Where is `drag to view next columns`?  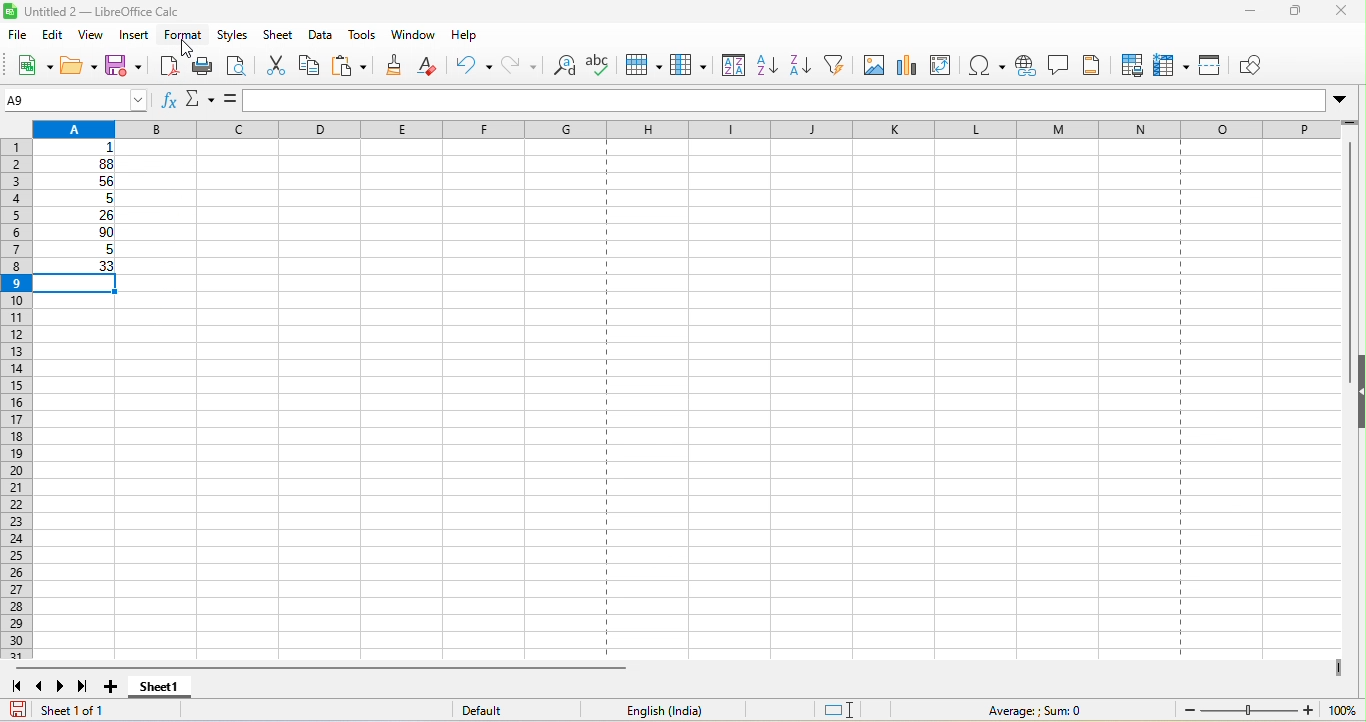 drag to view next columns is located at coordinates (1339, 668).